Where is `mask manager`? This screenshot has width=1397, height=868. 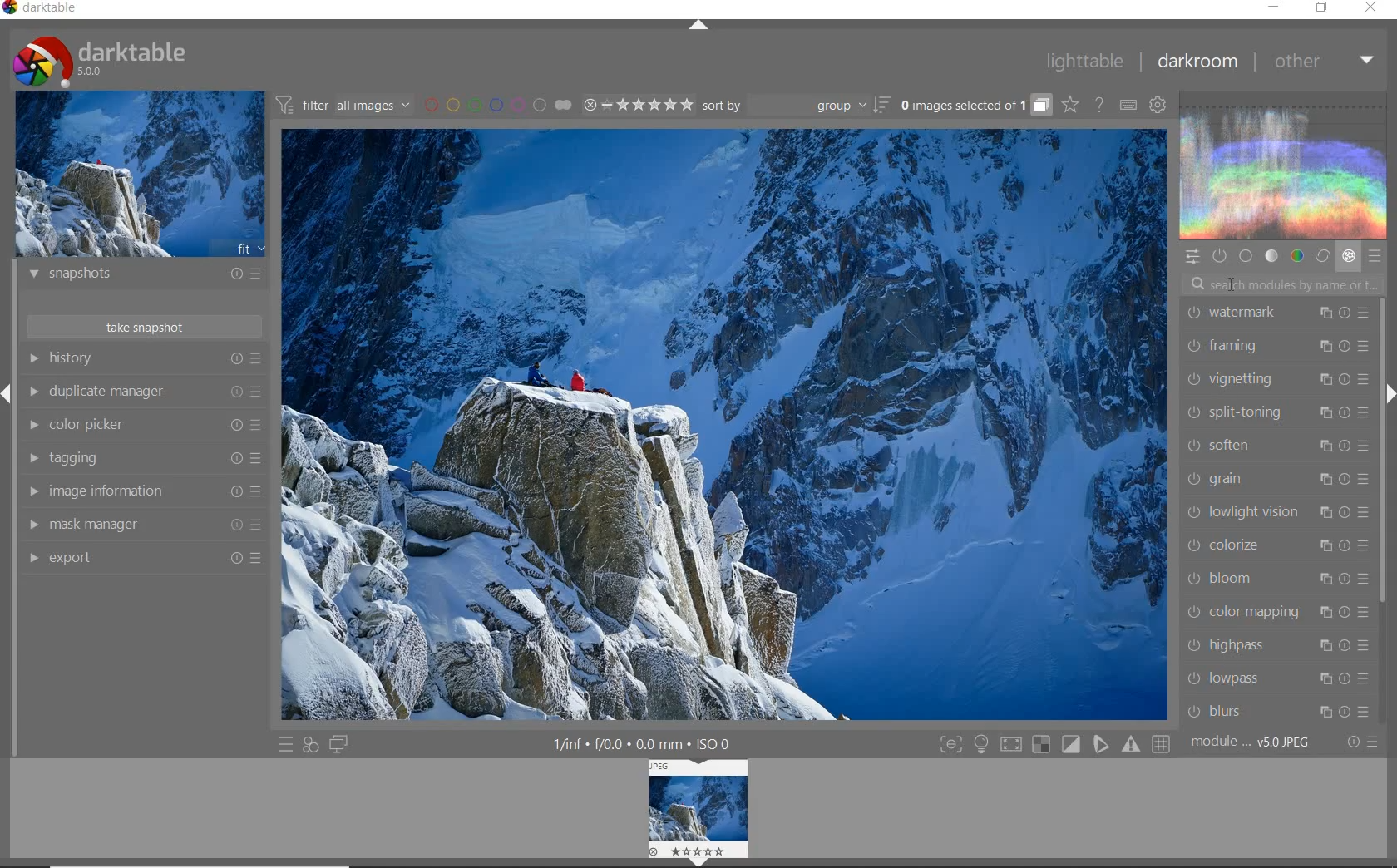 mask manager is located at coordinates (142, 525).